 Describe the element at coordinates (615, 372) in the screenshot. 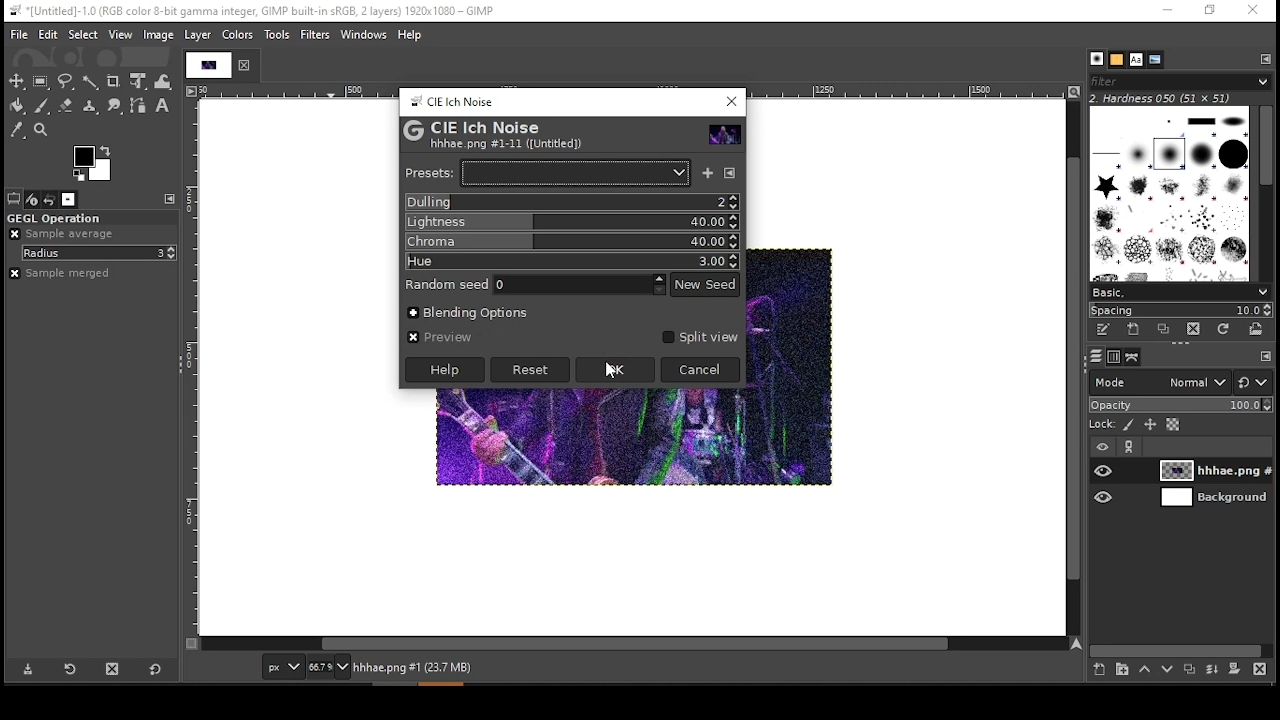

I see `mouse pointer` at that location.